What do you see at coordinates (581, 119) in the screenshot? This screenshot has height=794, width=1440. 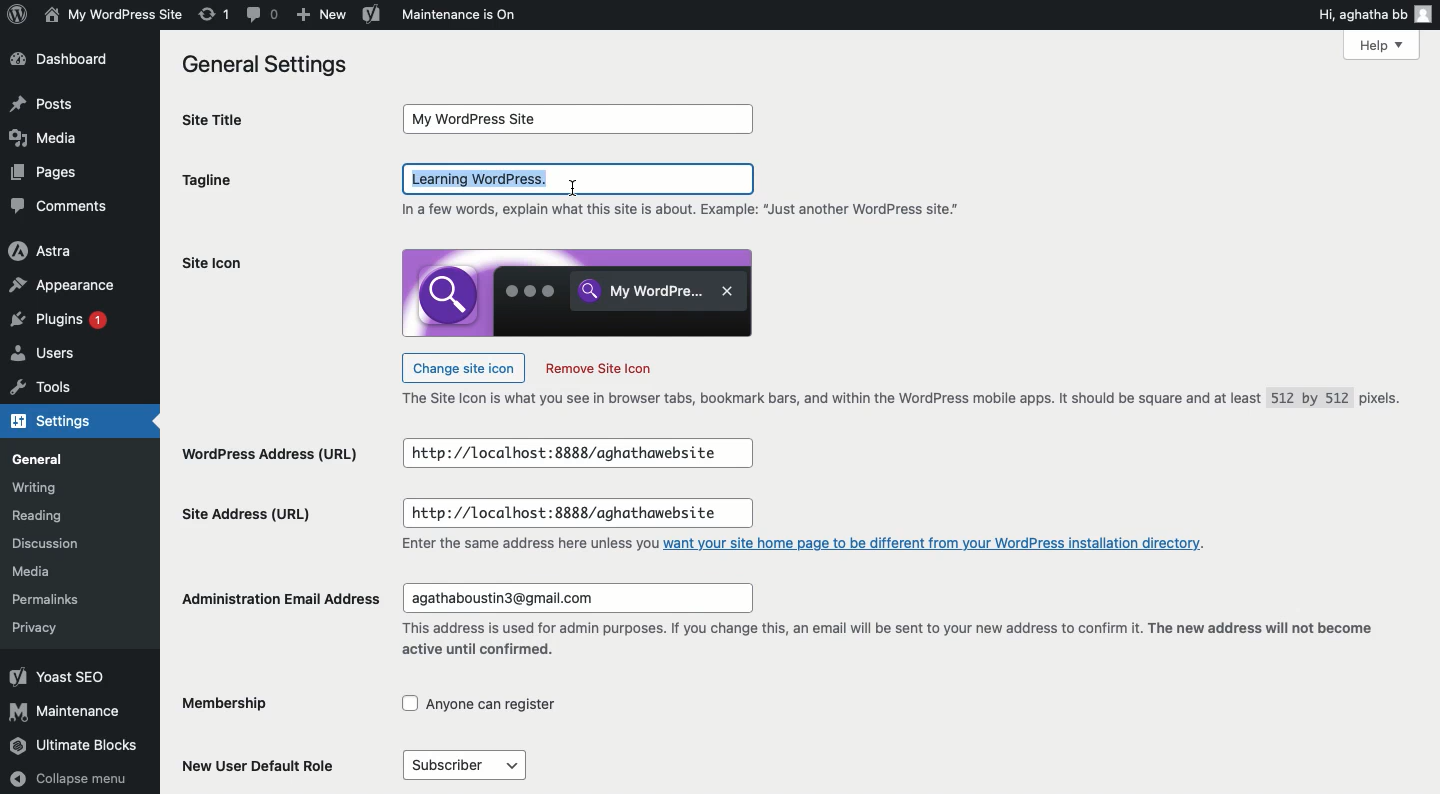 I see `input box` at bounding box center [581, 119].